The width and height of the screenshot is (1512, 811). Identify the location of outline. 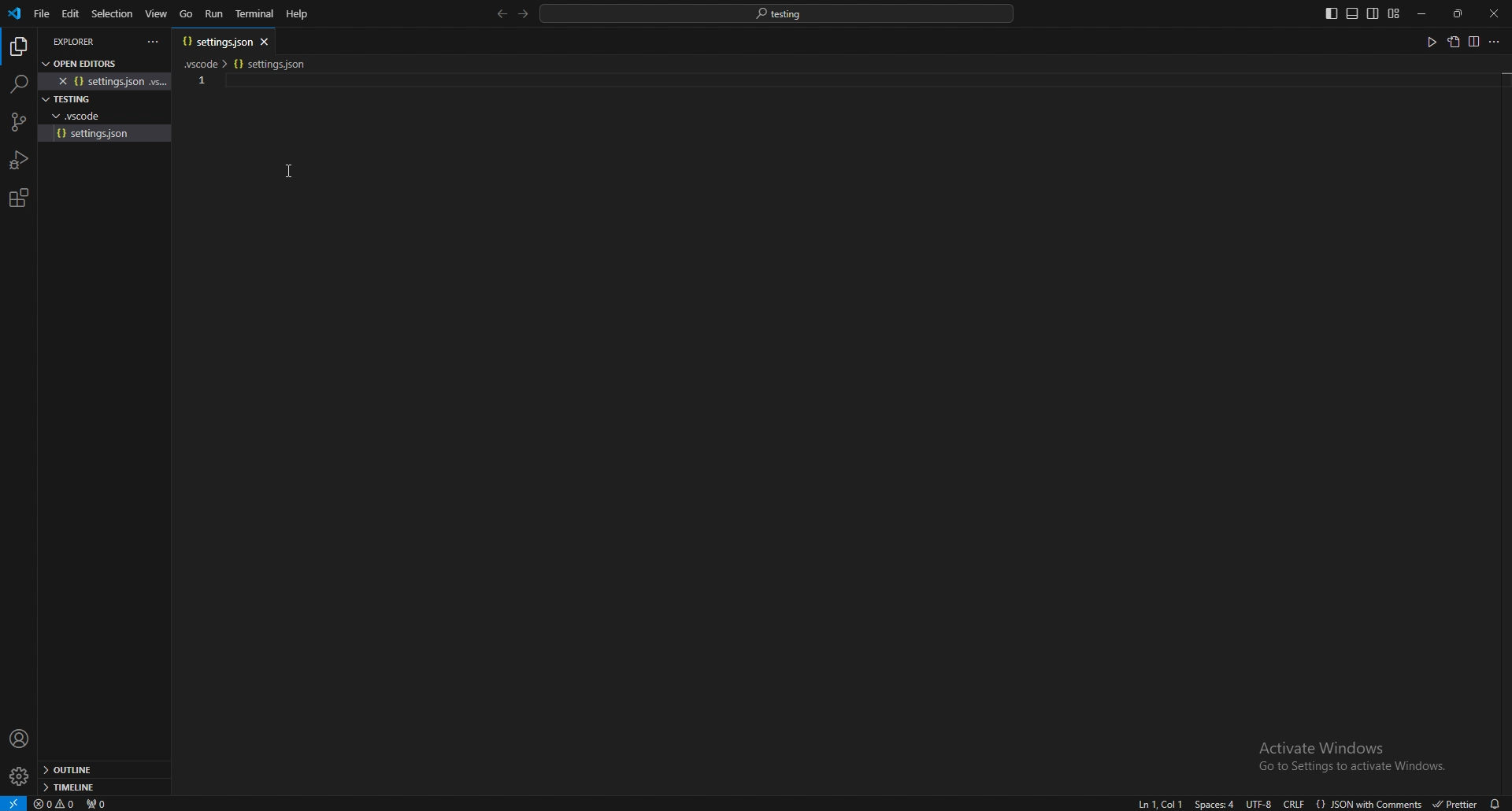
(102, 771).